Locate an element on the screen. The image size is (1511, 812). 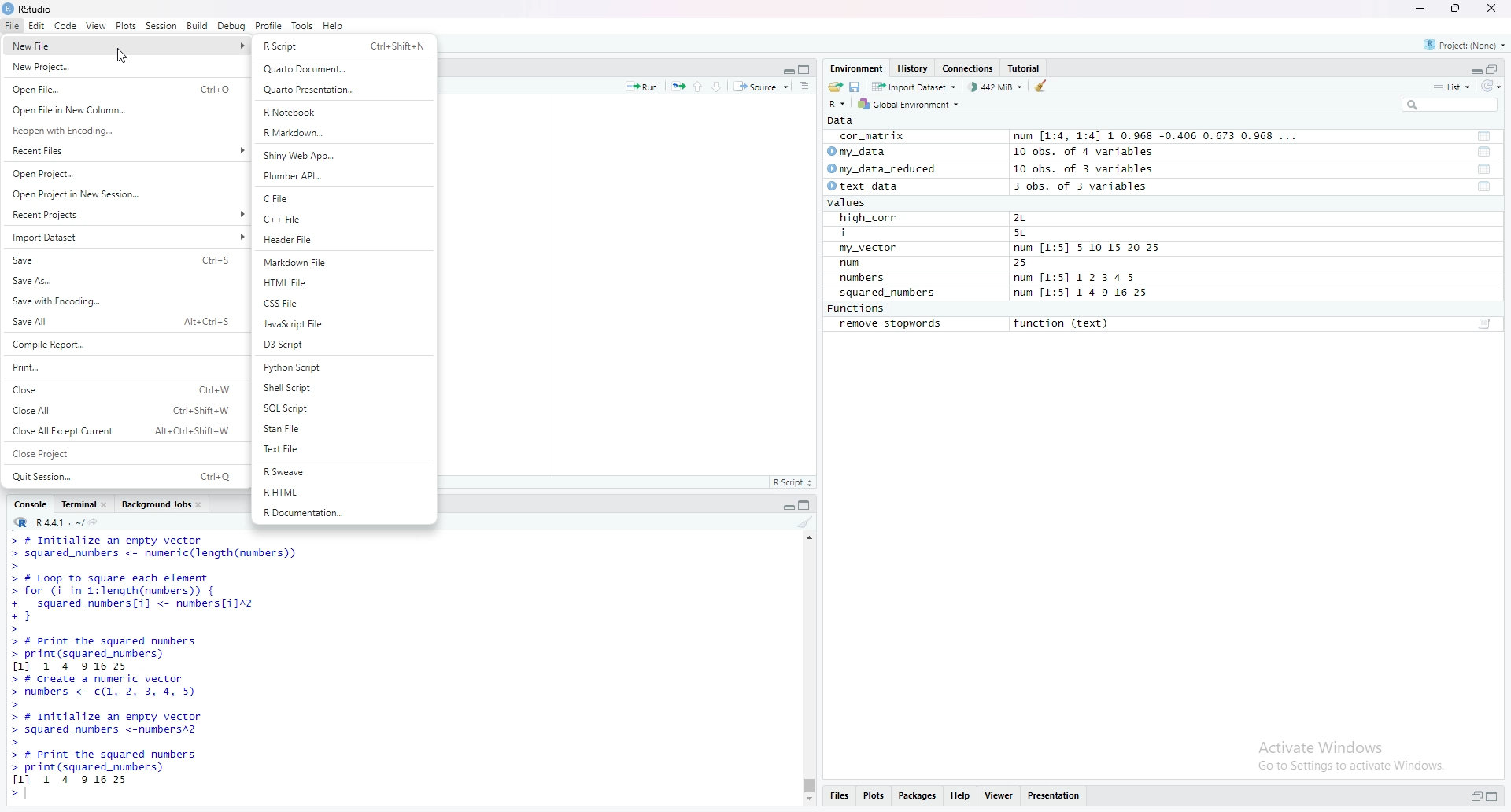
View is located at coordinates (999, 798).